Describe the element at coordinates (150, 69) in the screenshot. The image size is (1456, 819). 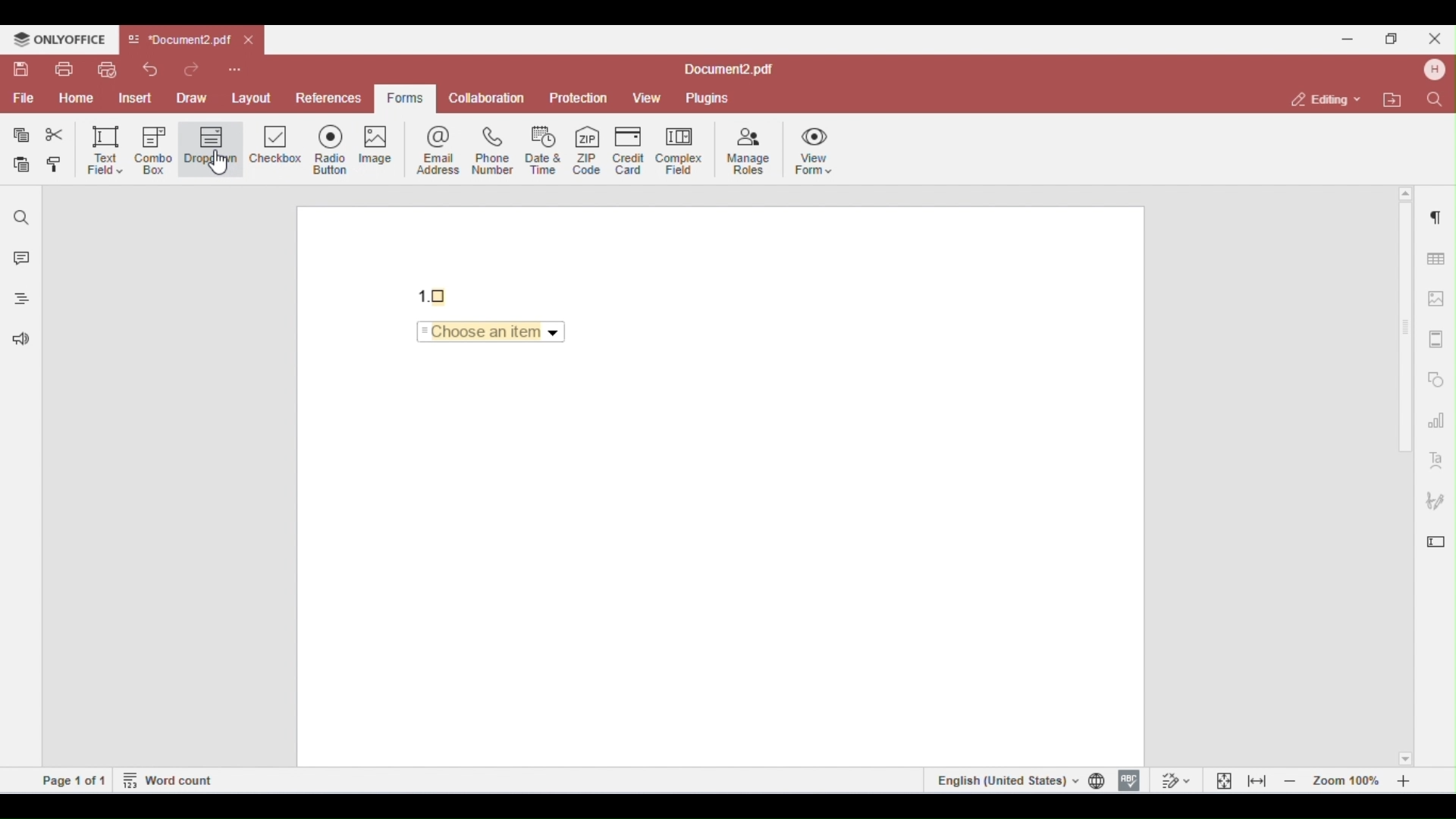
I see `undo` at that location.